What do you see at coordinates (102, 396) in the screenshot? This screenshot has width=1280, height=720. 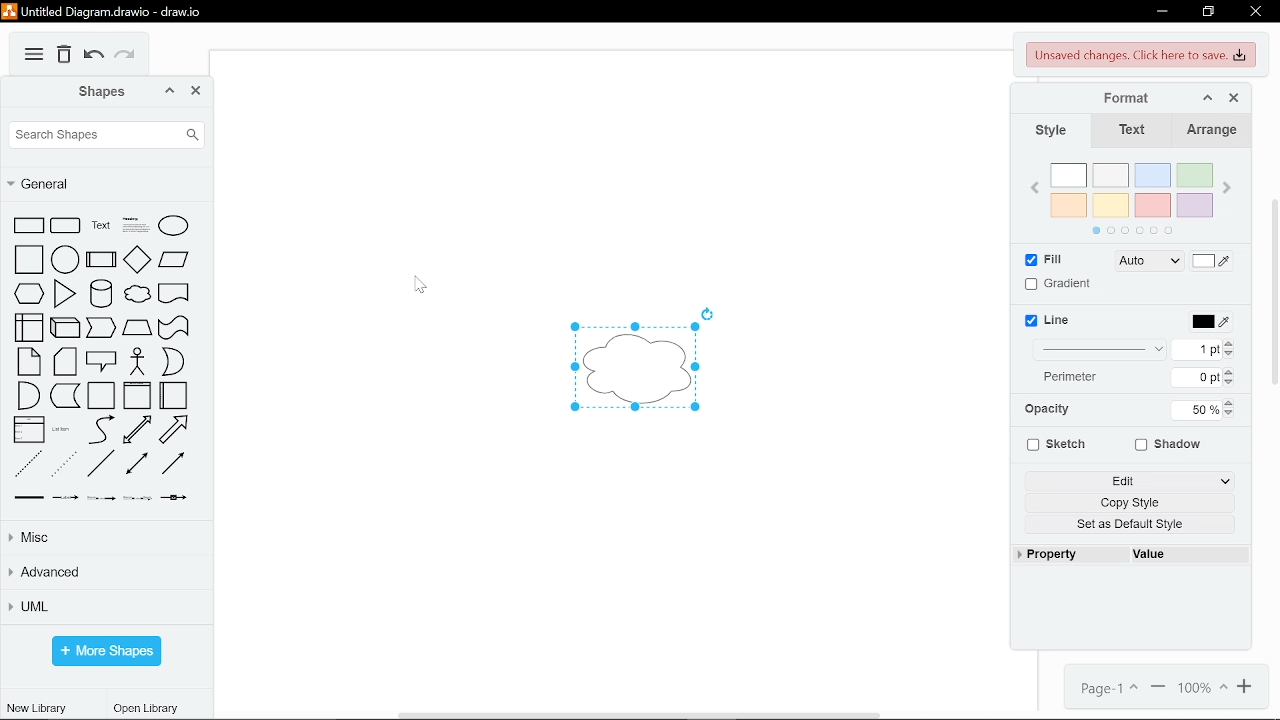 I see `container` at bounding box center [102, 396].